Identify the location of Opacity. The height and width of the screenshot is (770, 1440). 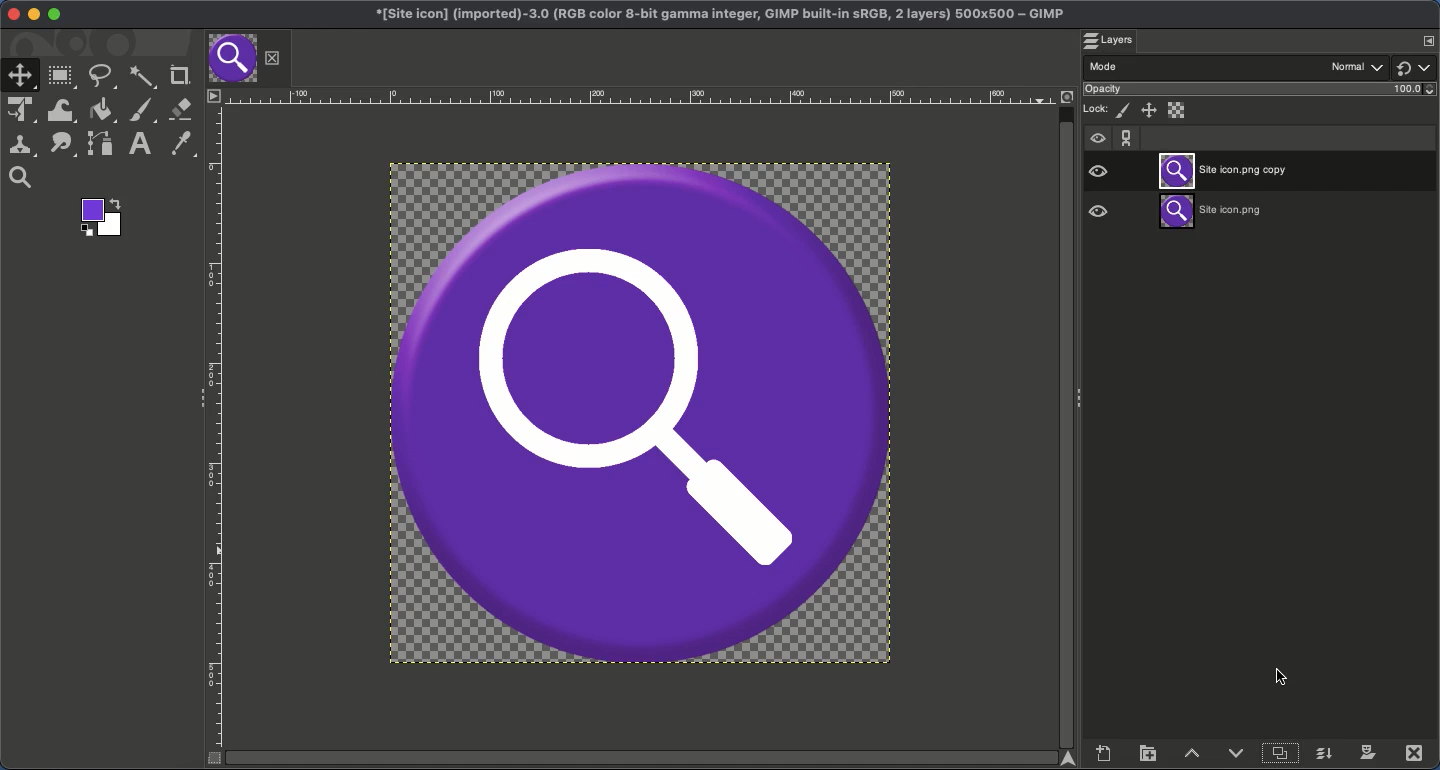
(1106, 89).